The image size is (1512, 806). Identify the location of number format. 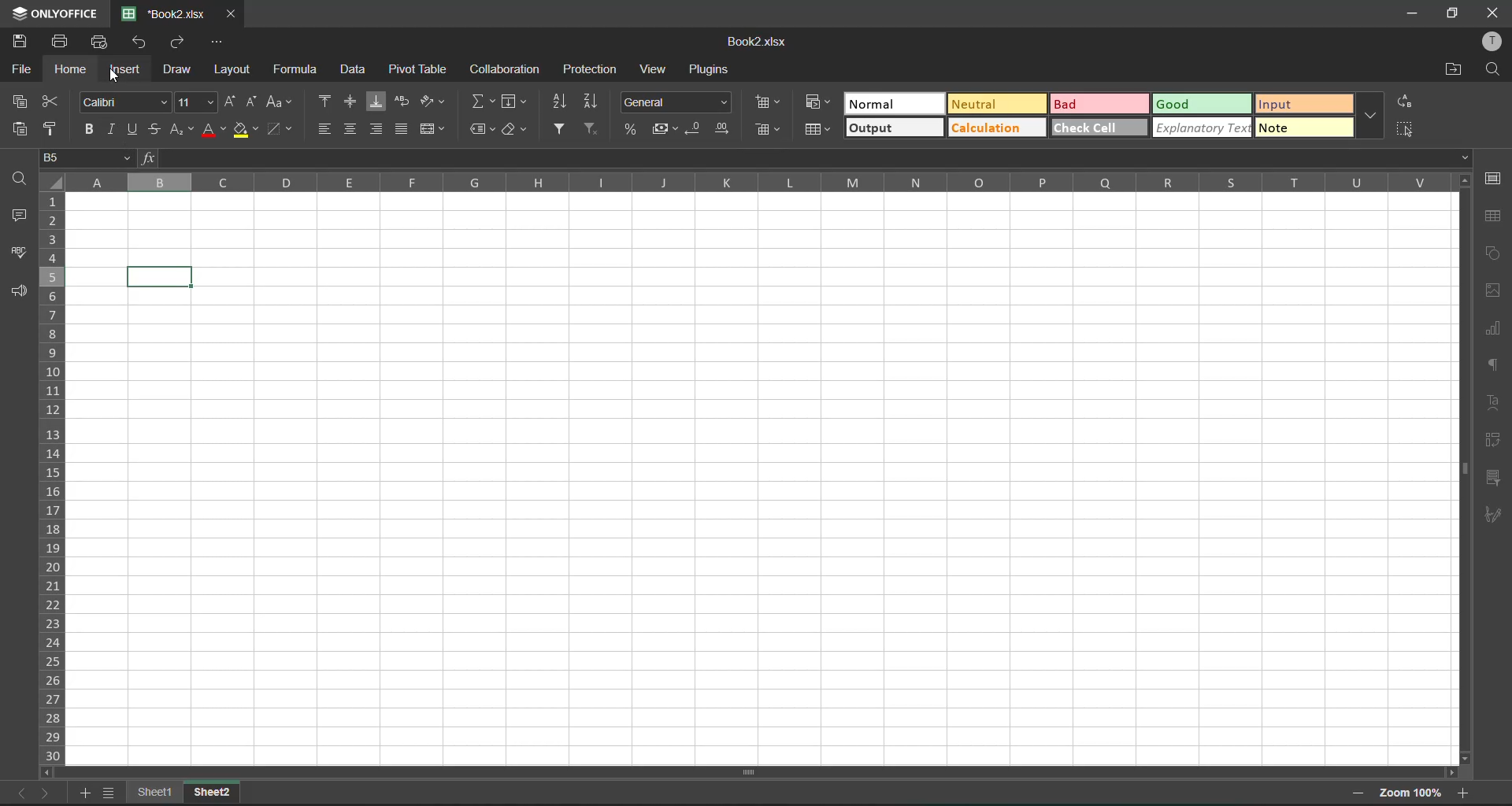
(676, 100).